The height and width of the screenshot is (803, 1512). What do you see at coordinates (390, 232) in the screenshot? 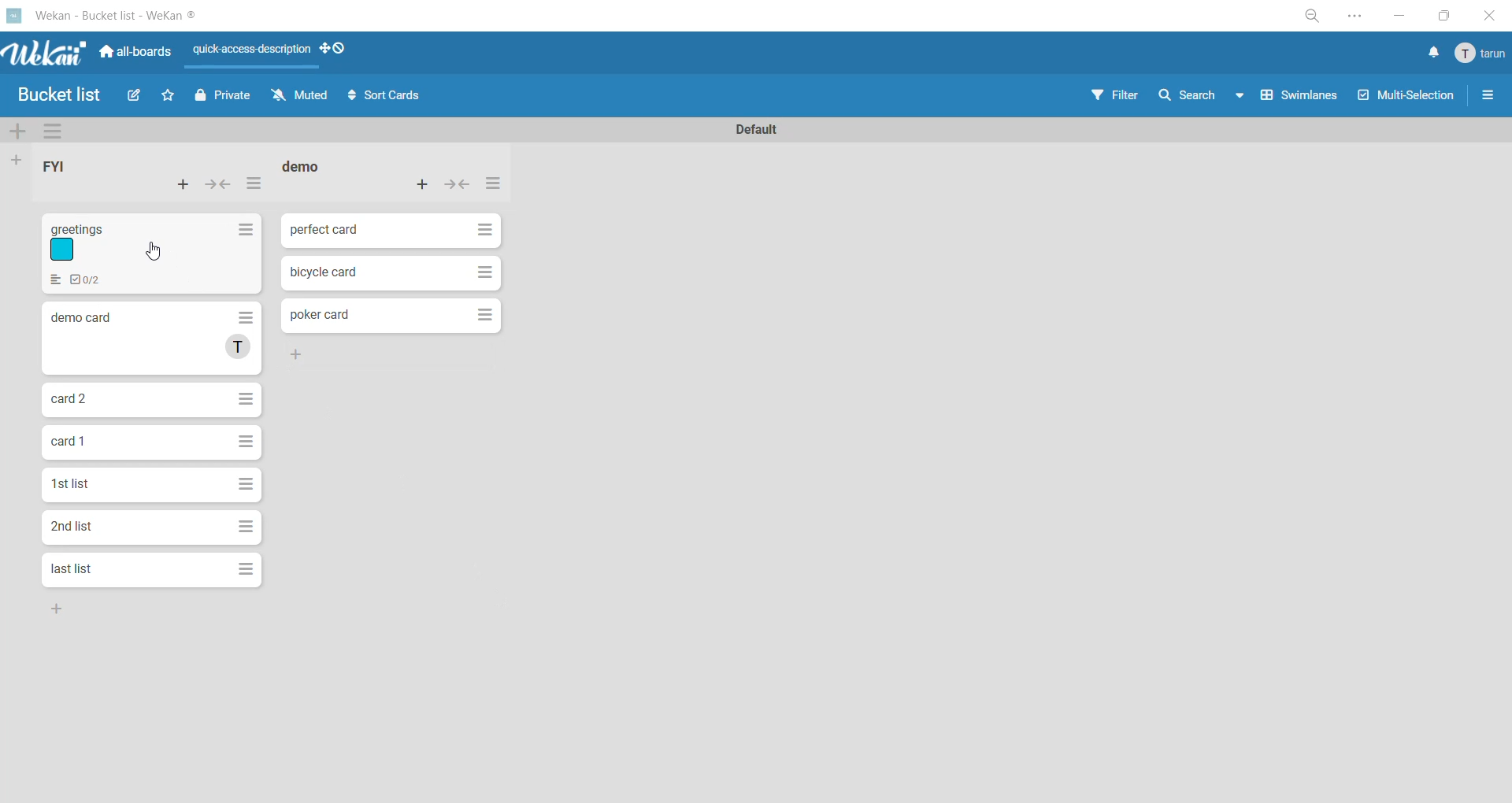
I see `Perfect card` at bounding box center [390, 232].